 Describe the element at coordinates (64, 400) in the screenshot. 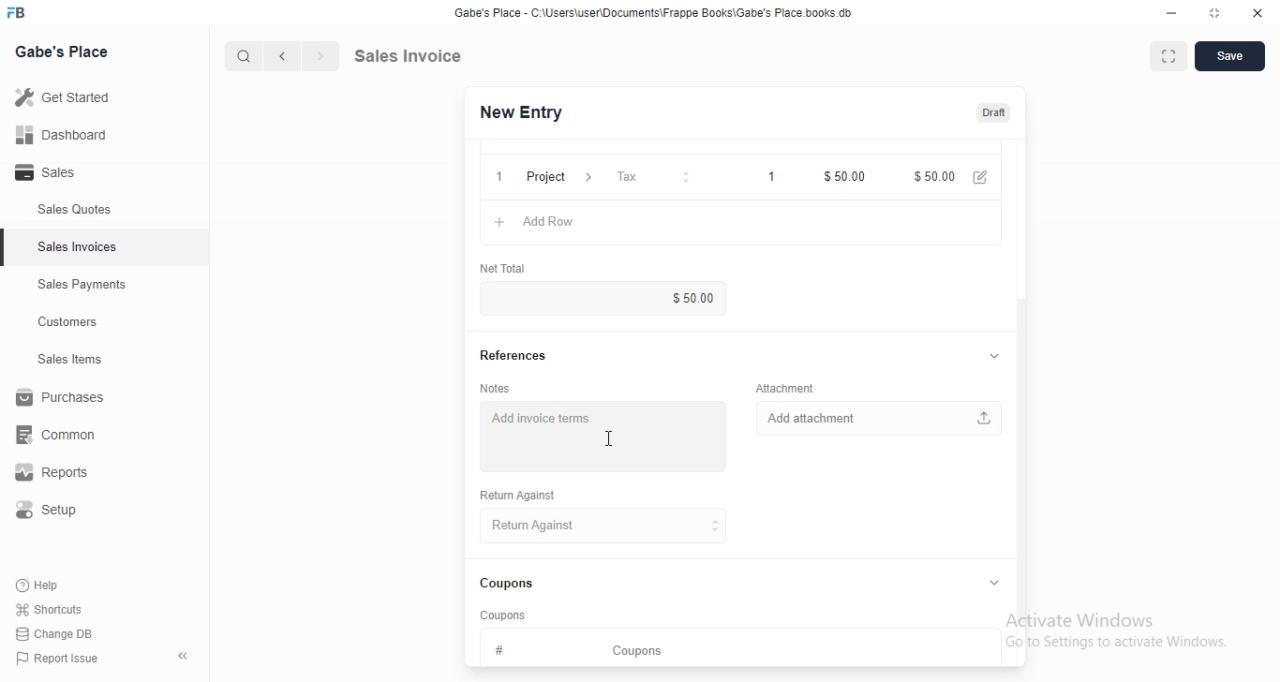

I see `Purchases` at that location.